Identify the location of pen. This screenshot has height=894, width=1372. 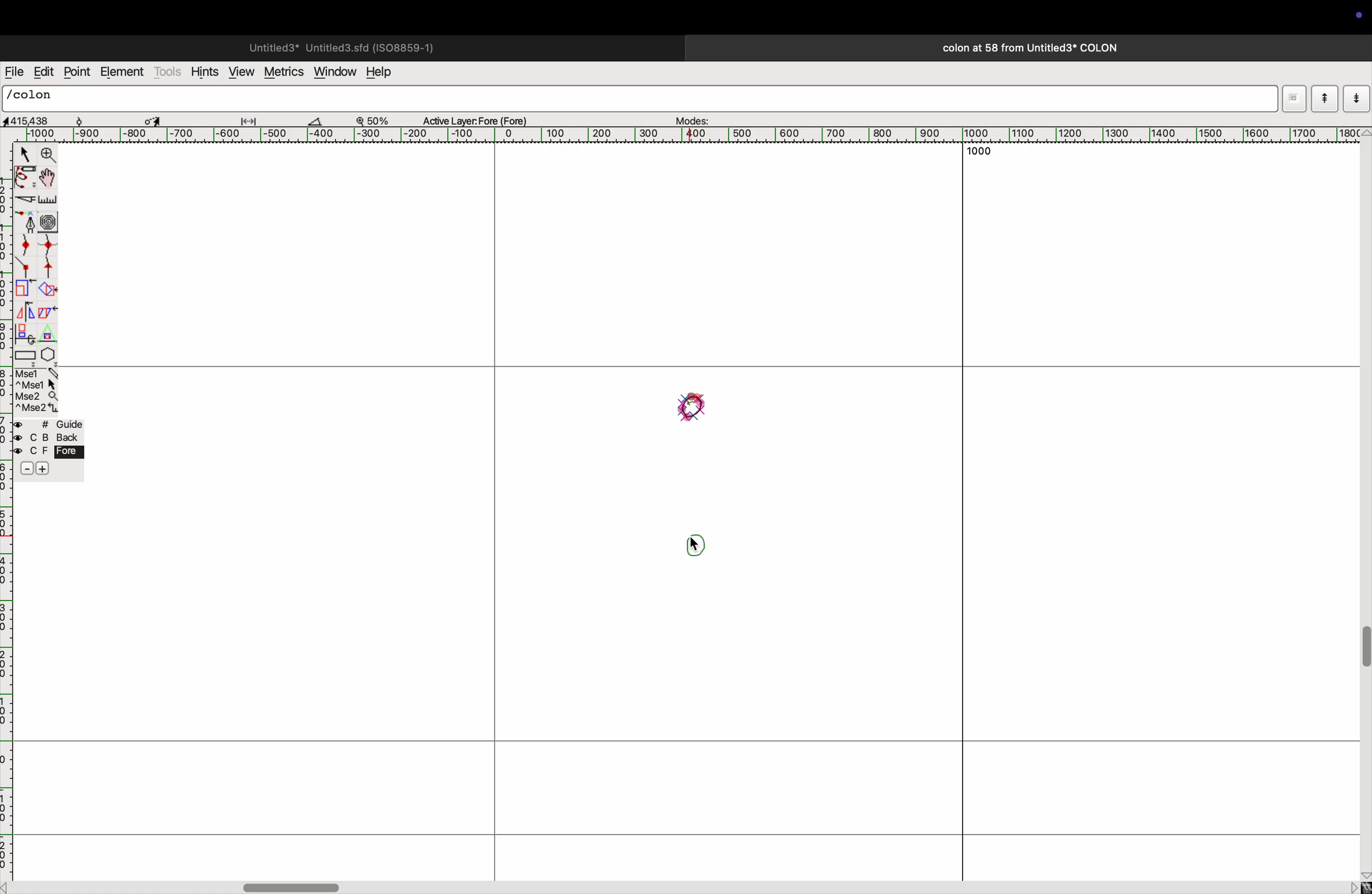
(25, 179).